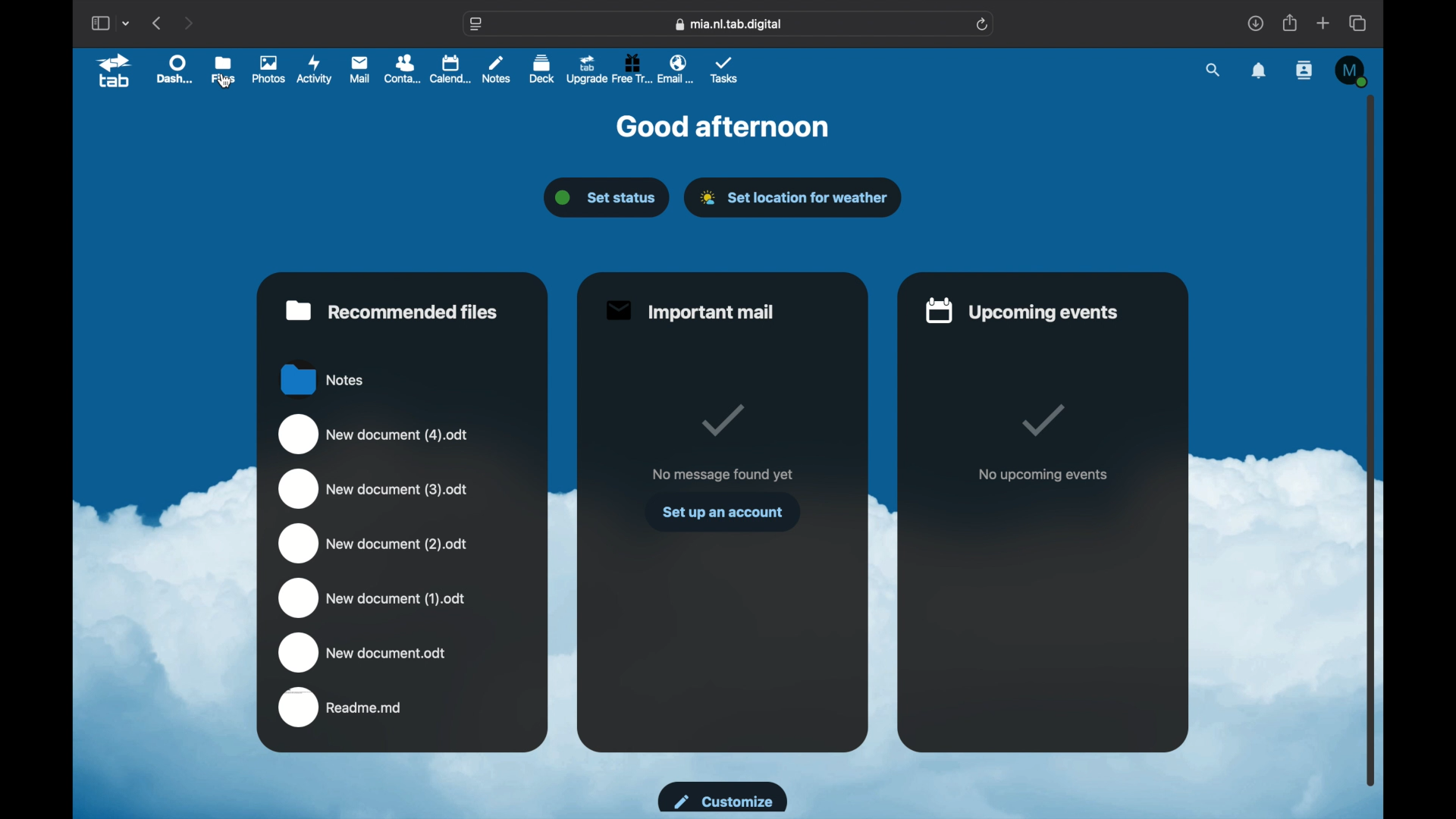  I want to click on previous, so click(158, 23).